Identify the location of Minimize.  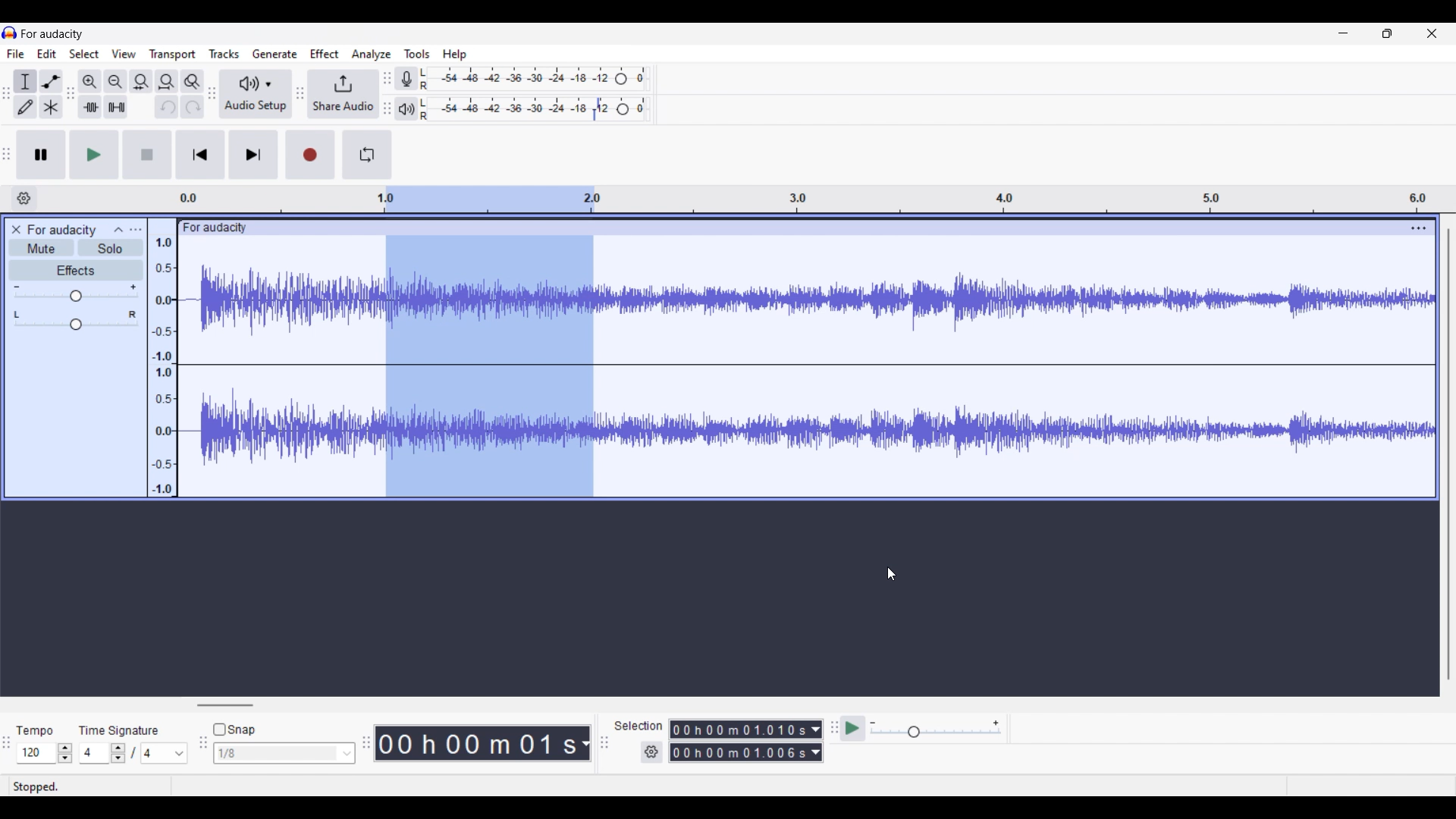
(1344, 33).